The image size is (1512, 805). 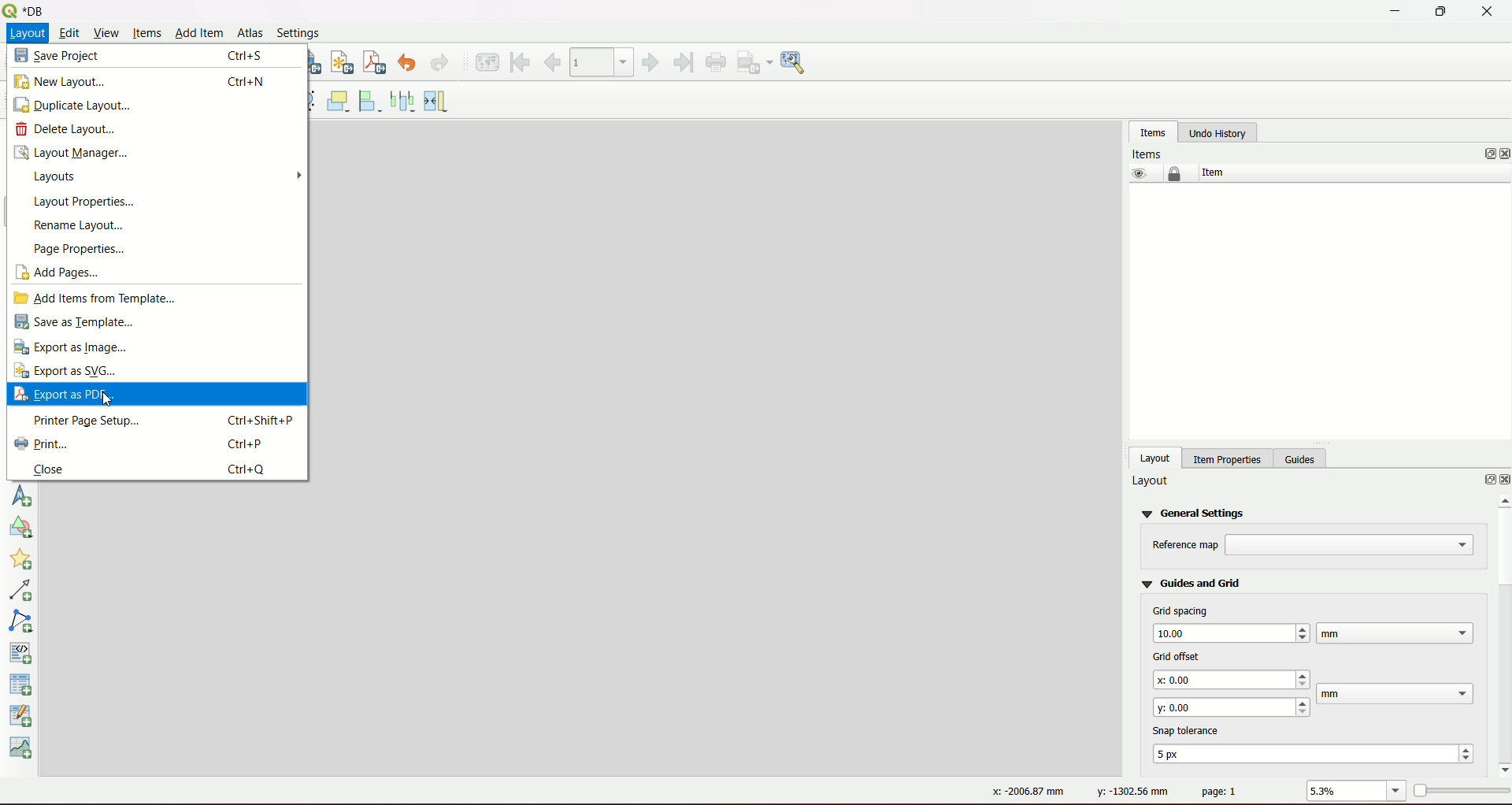 What do you see at coordinates (69, 128) in the screenshot?
I see `delete layout` at bounding box center [69, 128].